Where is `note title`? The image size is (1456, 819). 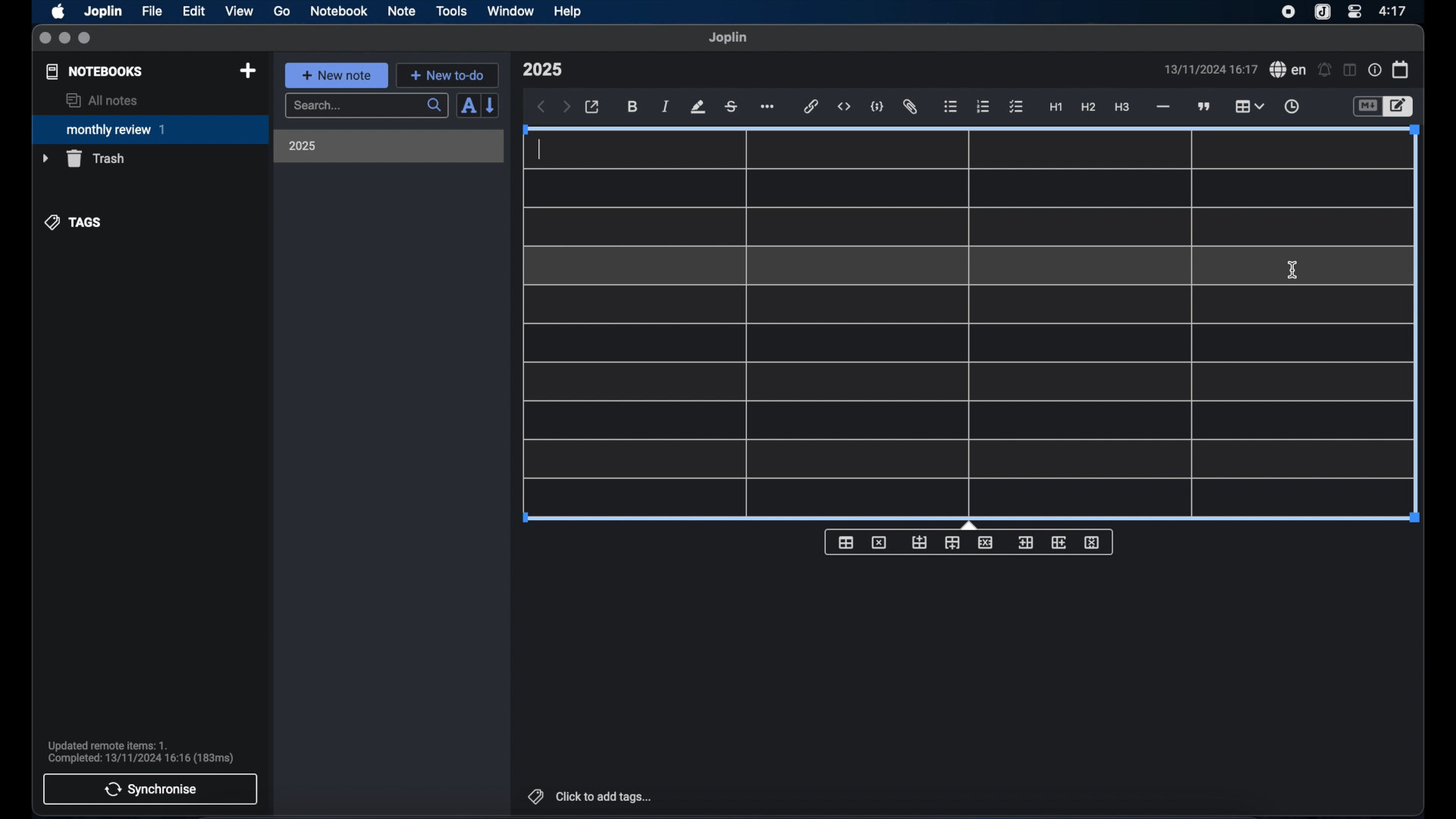
note title is located at coordinates (542, 70).